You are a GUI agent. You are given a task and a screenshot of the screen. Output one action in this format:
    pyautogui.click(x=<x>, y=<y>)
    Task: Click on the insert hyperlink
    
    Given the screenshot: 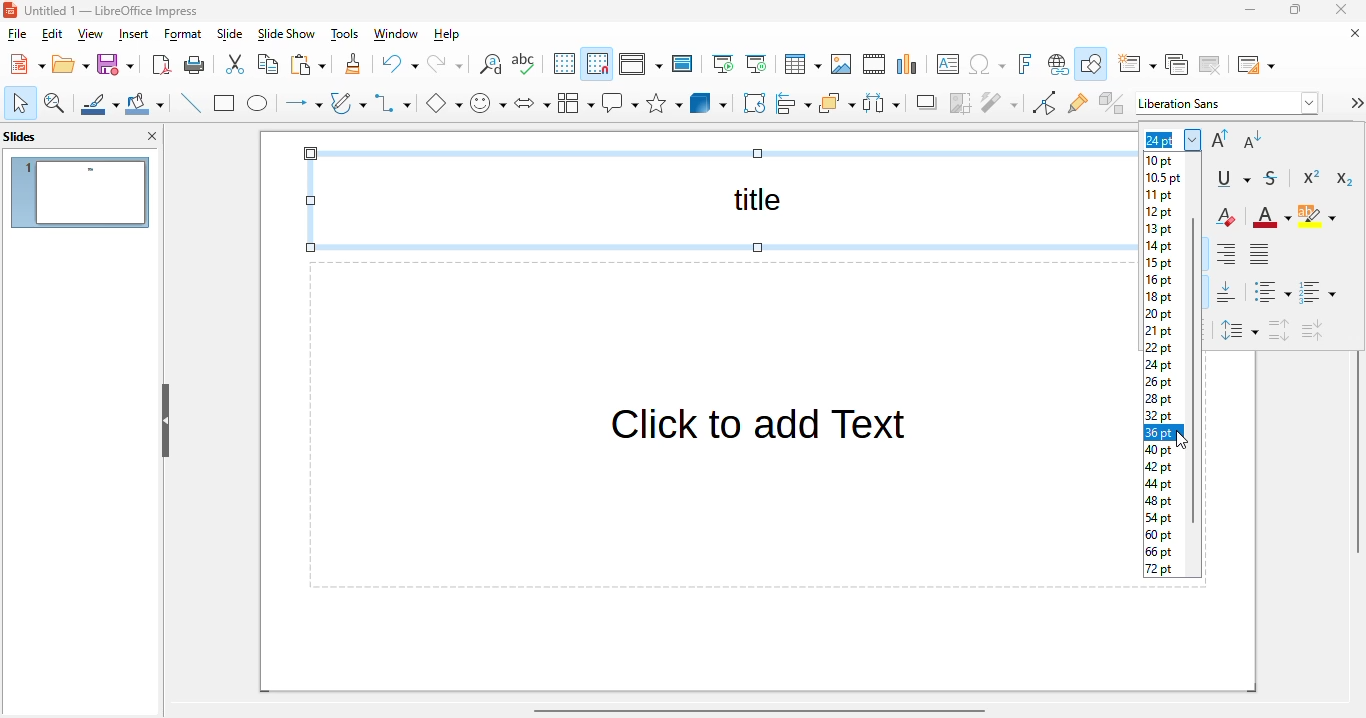 What is the action you would take?
    pyautogui.click(x=1058, y=64)
    